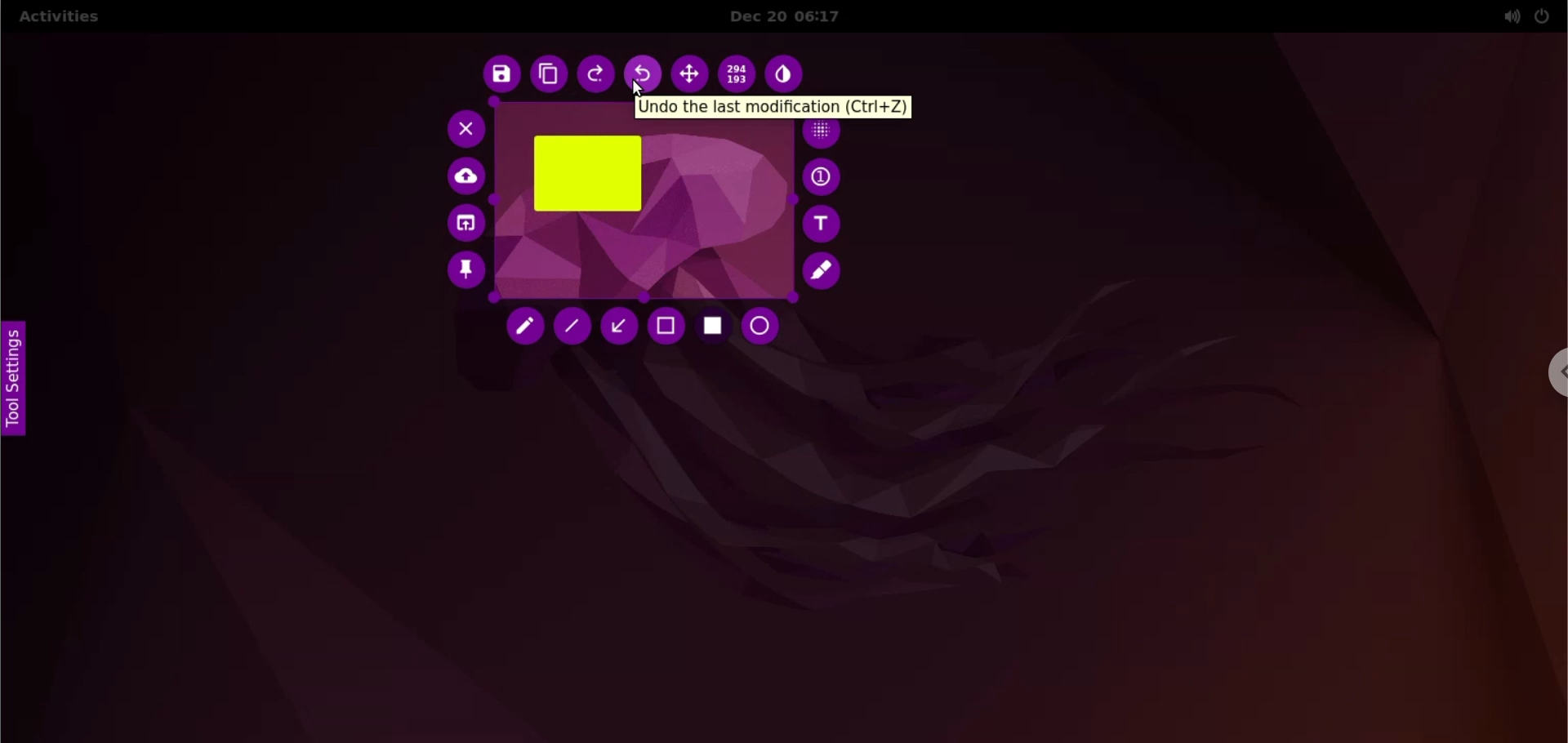 This screenshot has width=1568, height=743. I want to click on power options, so click(1543, 16).